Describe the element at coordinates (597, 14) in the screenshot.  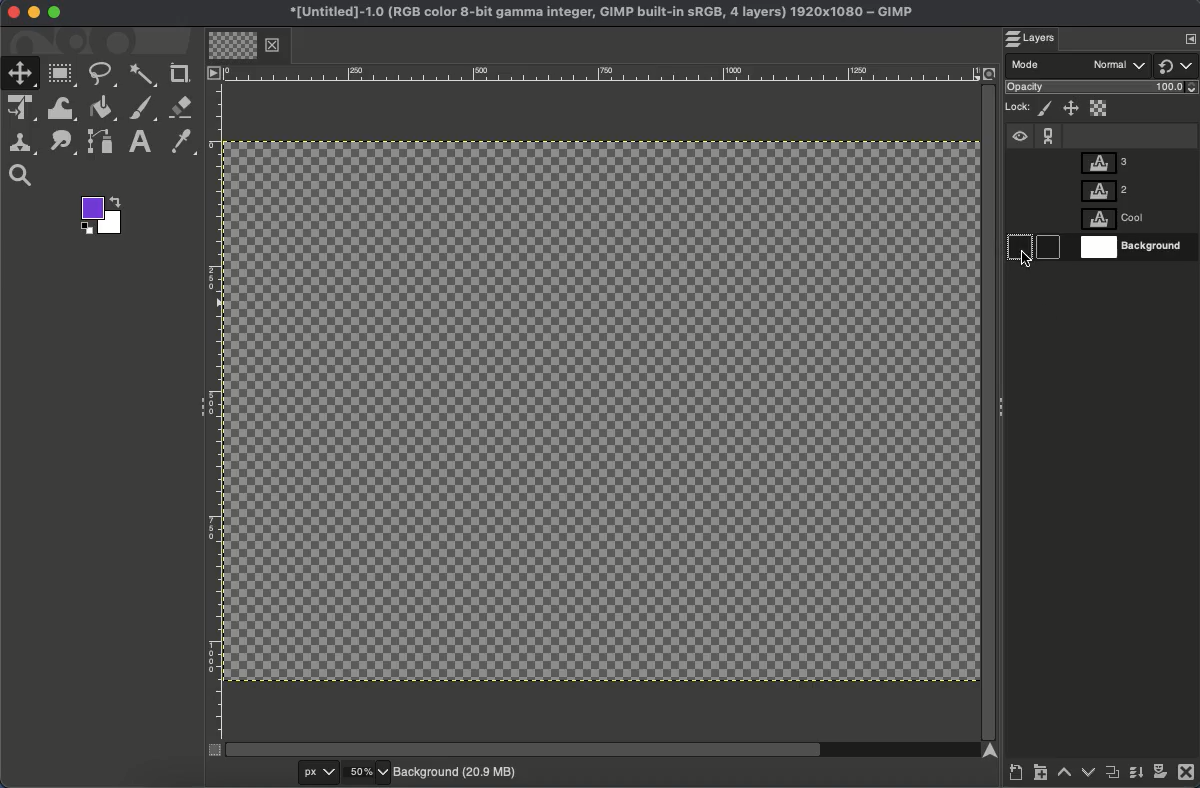
I see `Name` at that location.